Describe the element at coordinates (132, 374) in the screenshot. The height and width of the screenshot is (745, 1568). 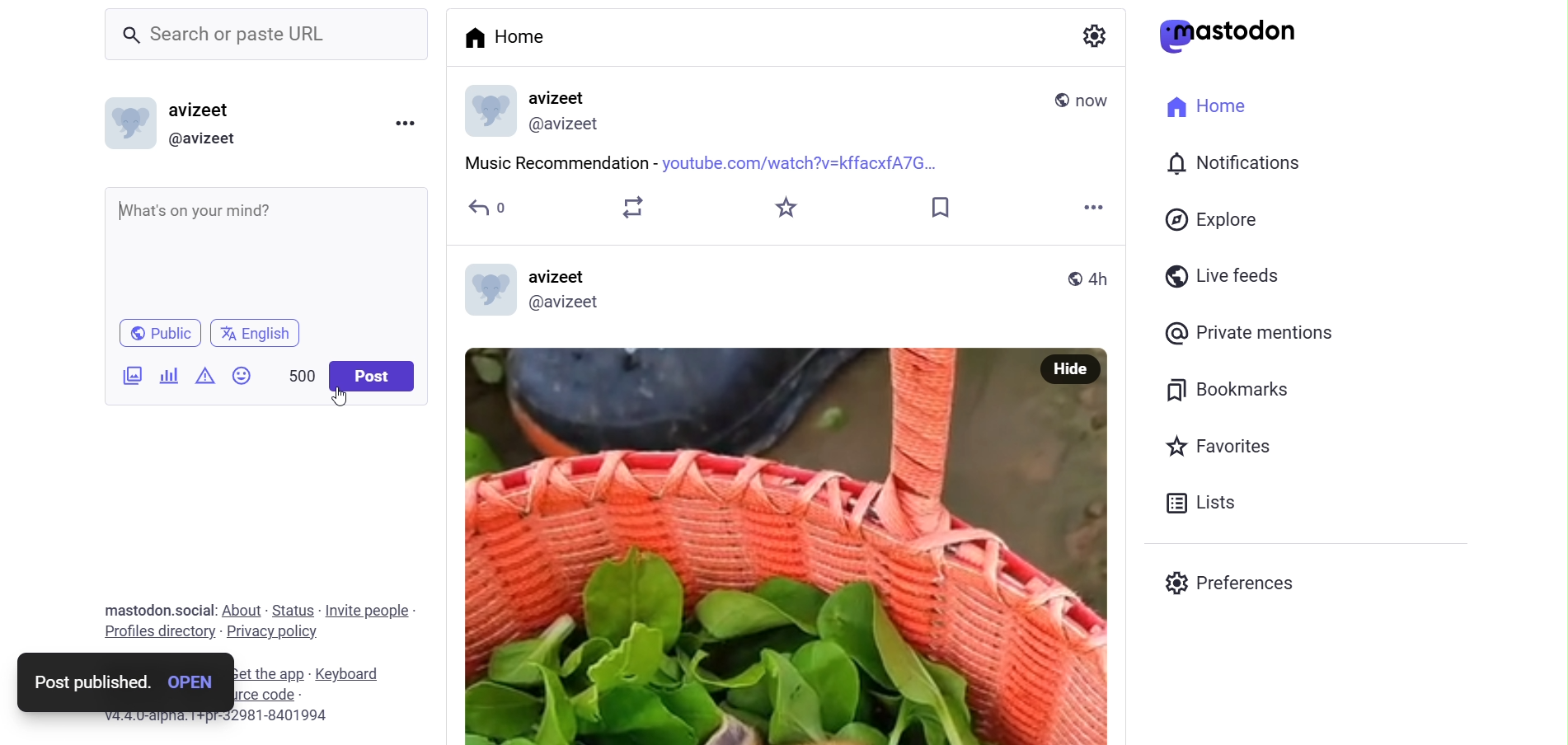
I see `Add Image` at that location.